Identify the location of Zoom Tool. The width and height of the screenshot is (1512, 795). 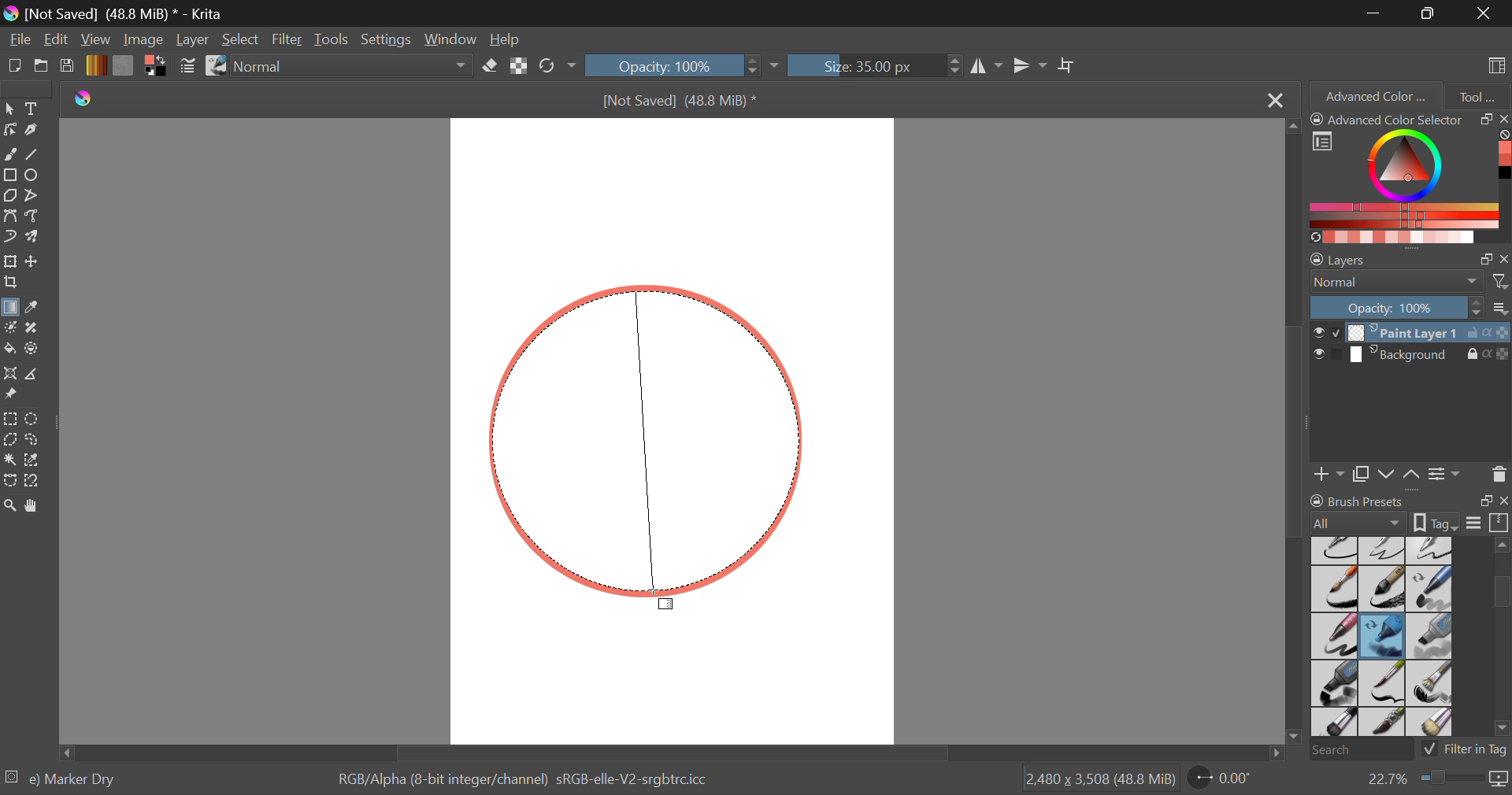
(10, 505).